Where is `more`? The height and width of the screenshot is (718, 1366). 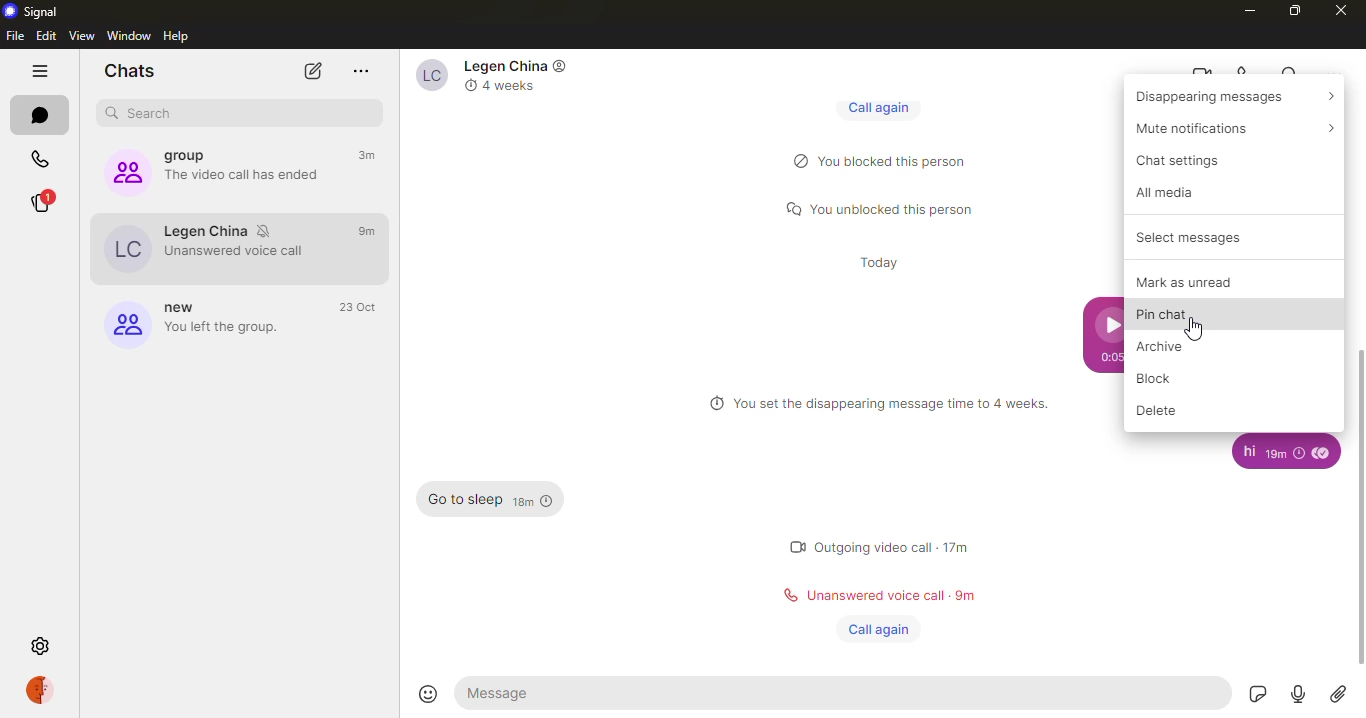
more is located at coordinates (361, 69).